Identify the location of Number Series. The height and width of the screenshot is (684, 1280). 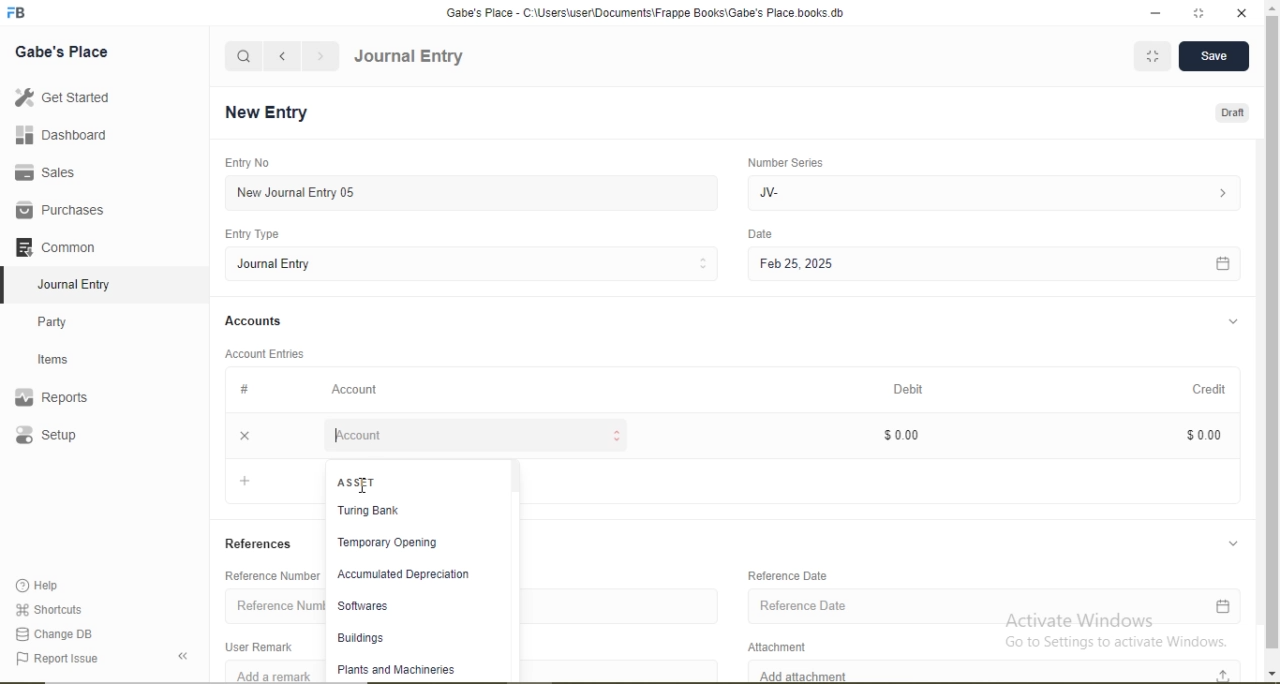
(792, 162).